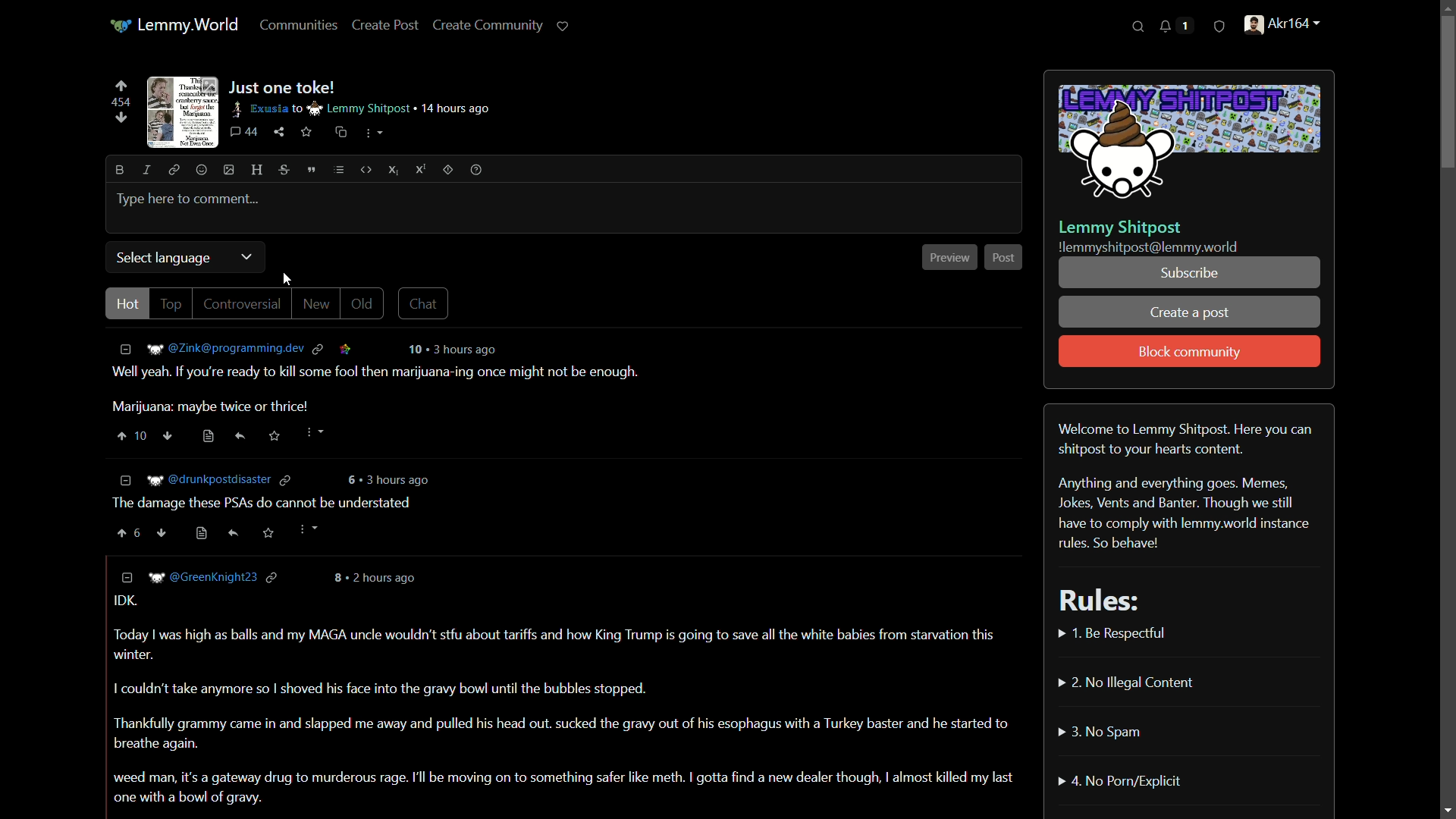 The width and height of the screenshot is (1456, 819). I want to click on cross-post, so click(339, 134).